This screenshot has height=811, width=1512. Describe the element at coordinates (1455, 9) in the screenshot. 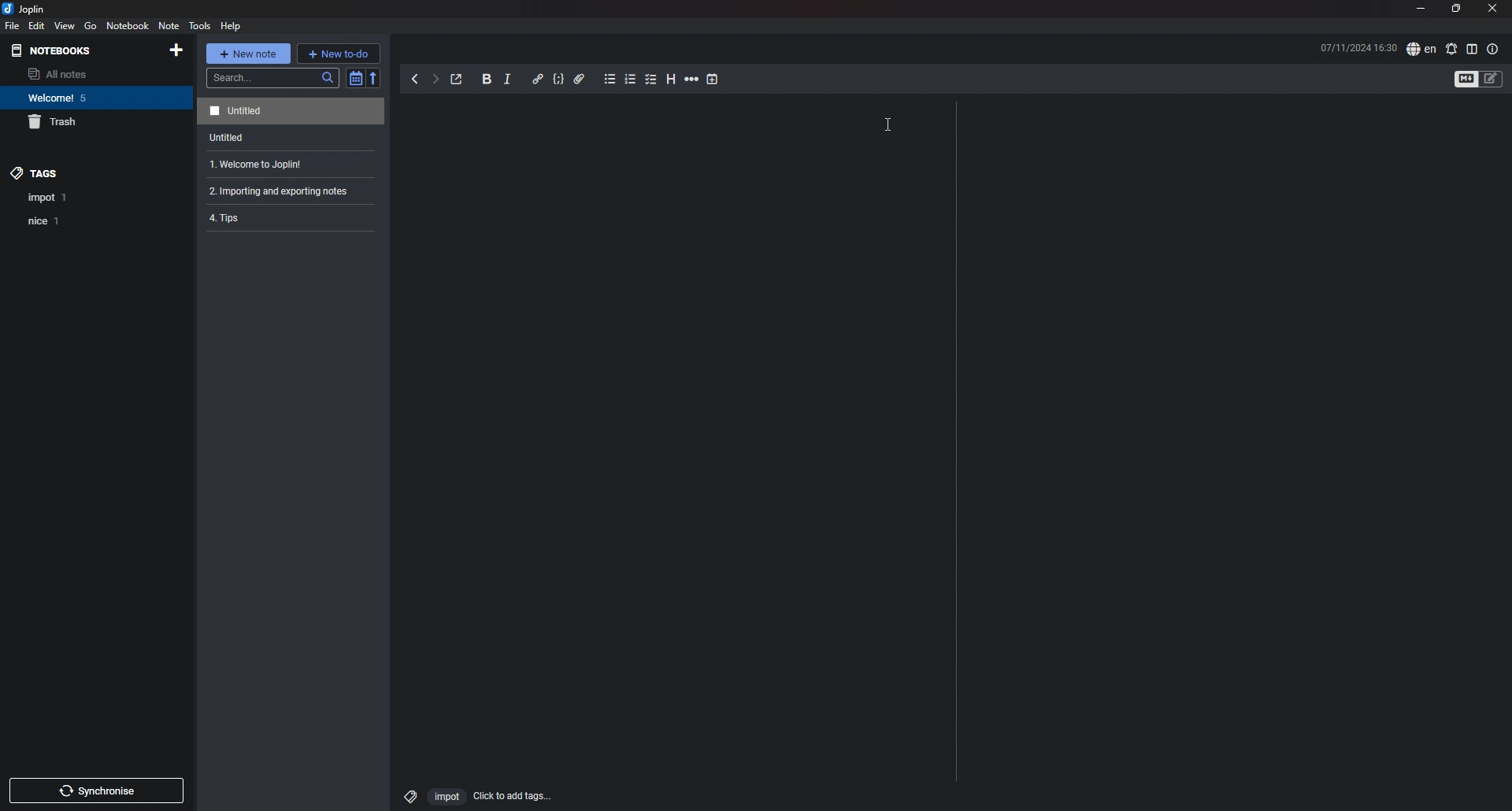

I see `resize` at that location.